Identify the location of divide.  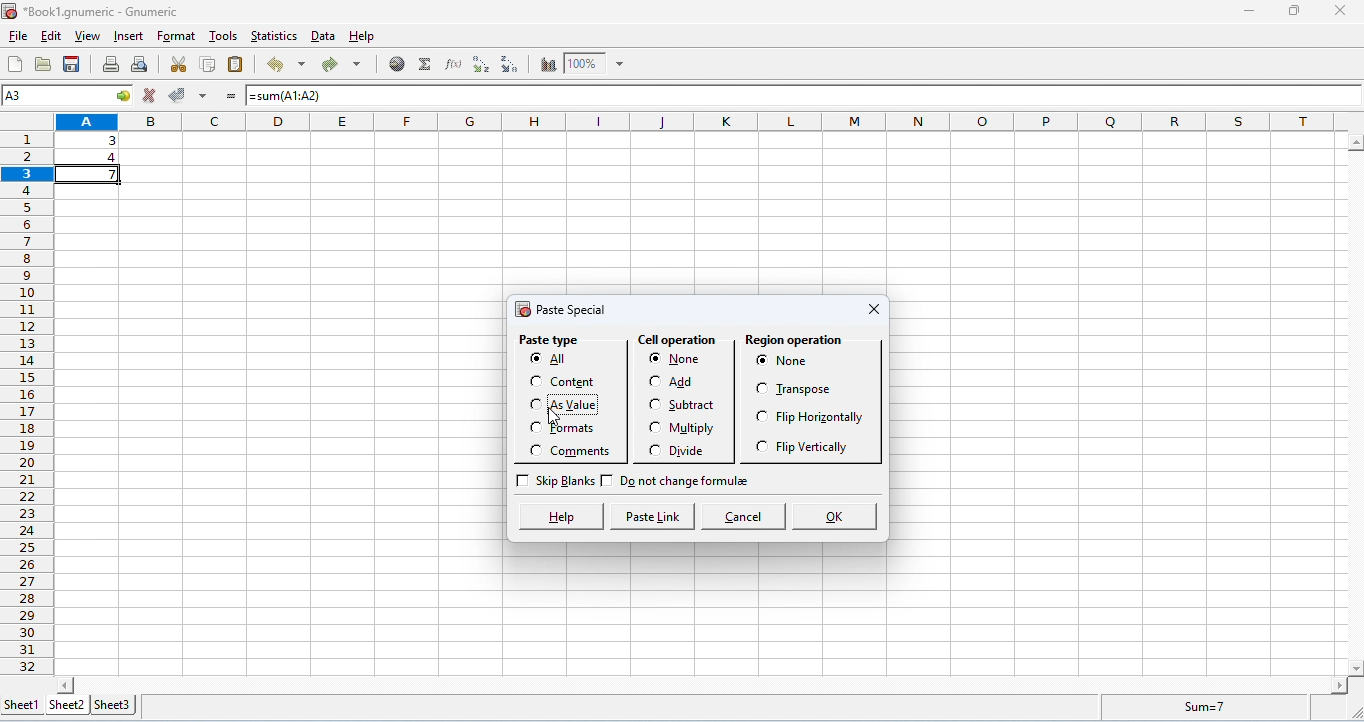
(692, 452).